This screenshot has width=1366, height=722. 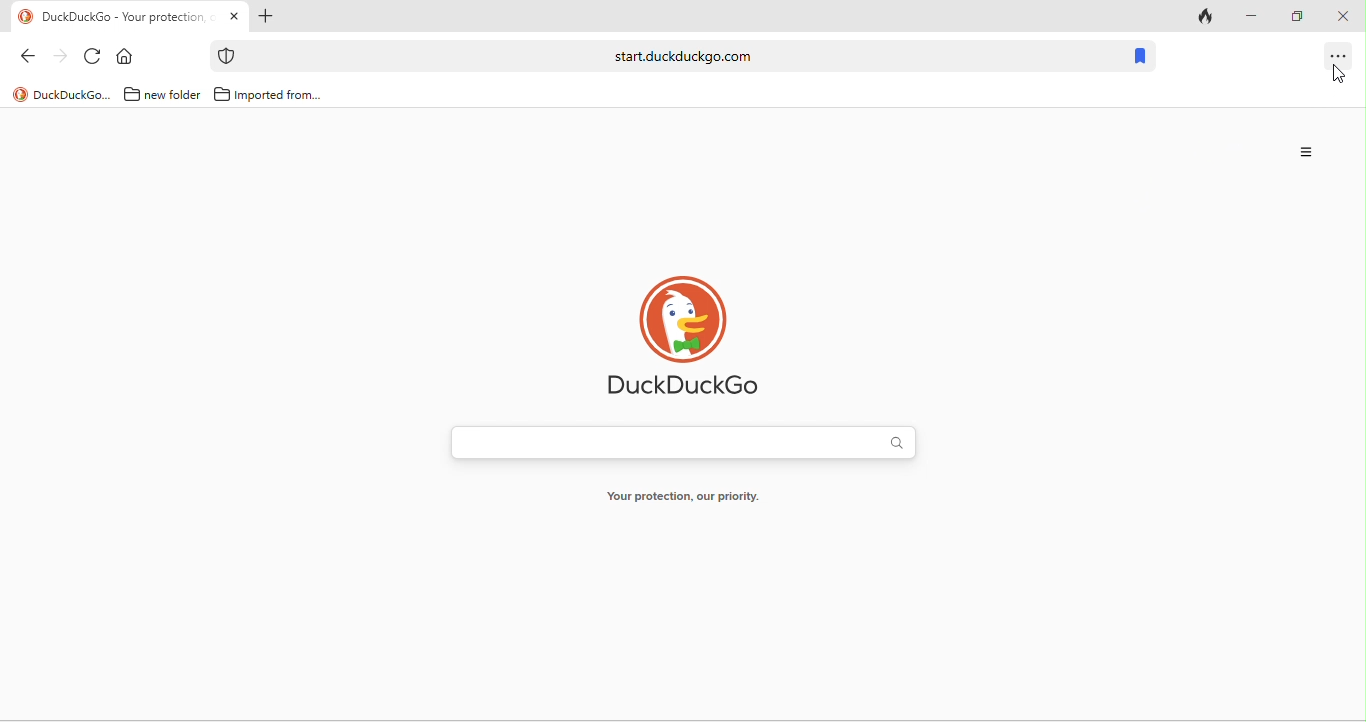 What do you see at coordinates (127, 58) in the screenshot?
I see `home` at bounding box center [127, 58].